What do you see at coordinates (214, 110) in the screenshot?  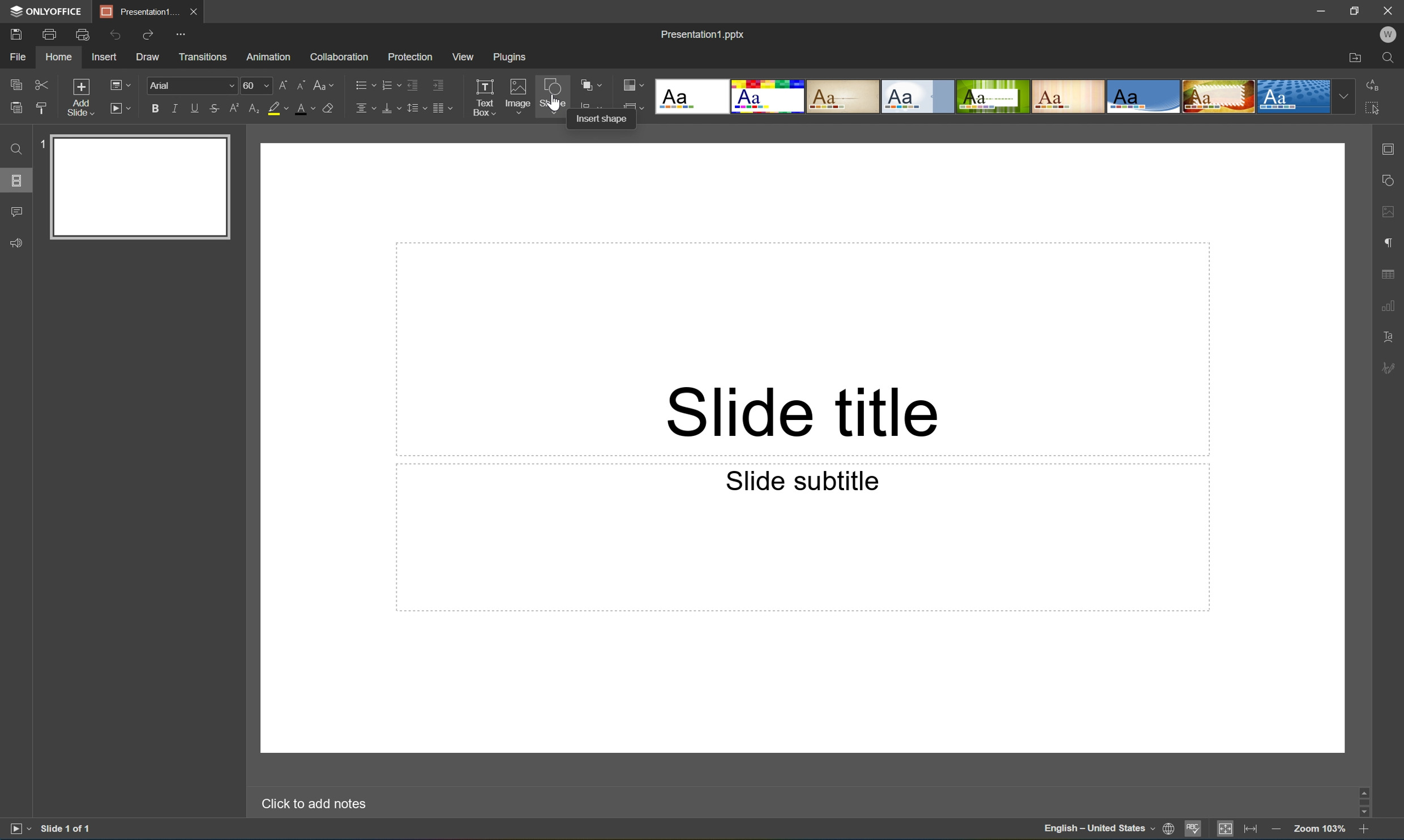 I see `Strikethrough` at bounding box center [214, 110].